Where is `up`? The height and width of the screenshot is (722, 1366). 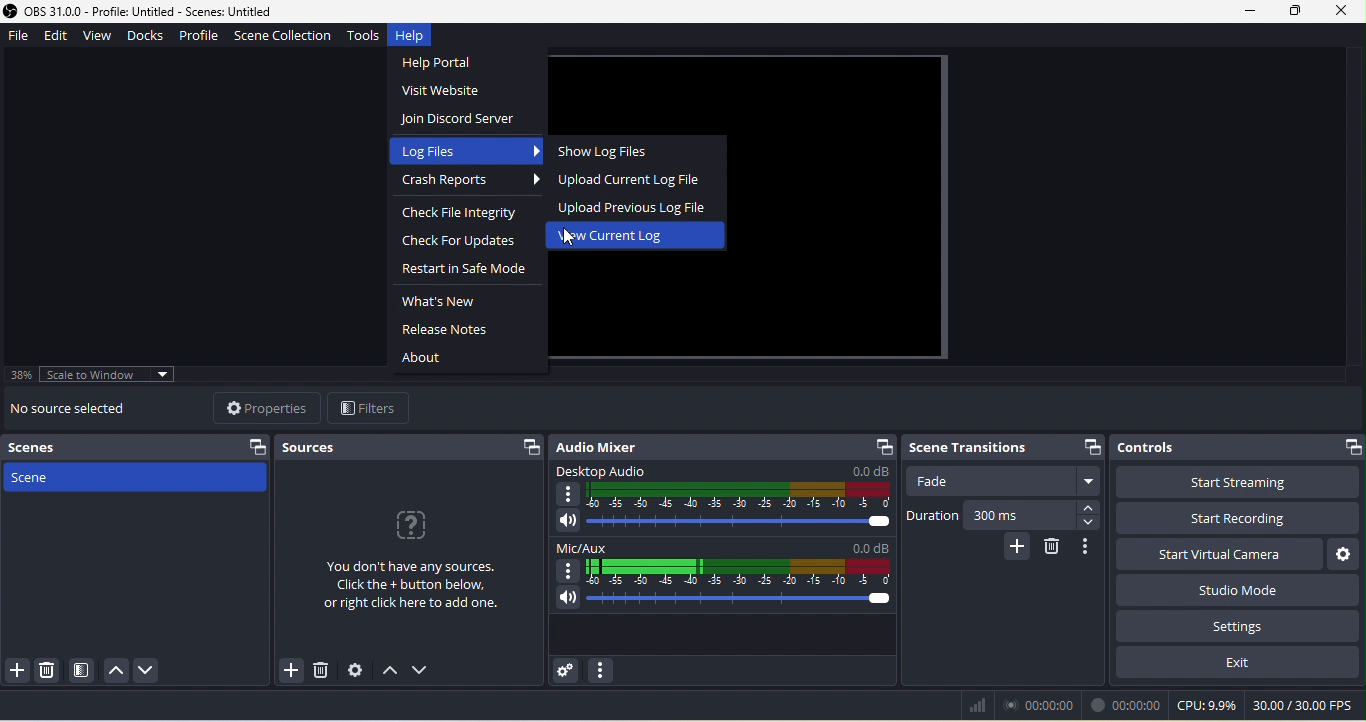 up is located at coordinates (113, 668).